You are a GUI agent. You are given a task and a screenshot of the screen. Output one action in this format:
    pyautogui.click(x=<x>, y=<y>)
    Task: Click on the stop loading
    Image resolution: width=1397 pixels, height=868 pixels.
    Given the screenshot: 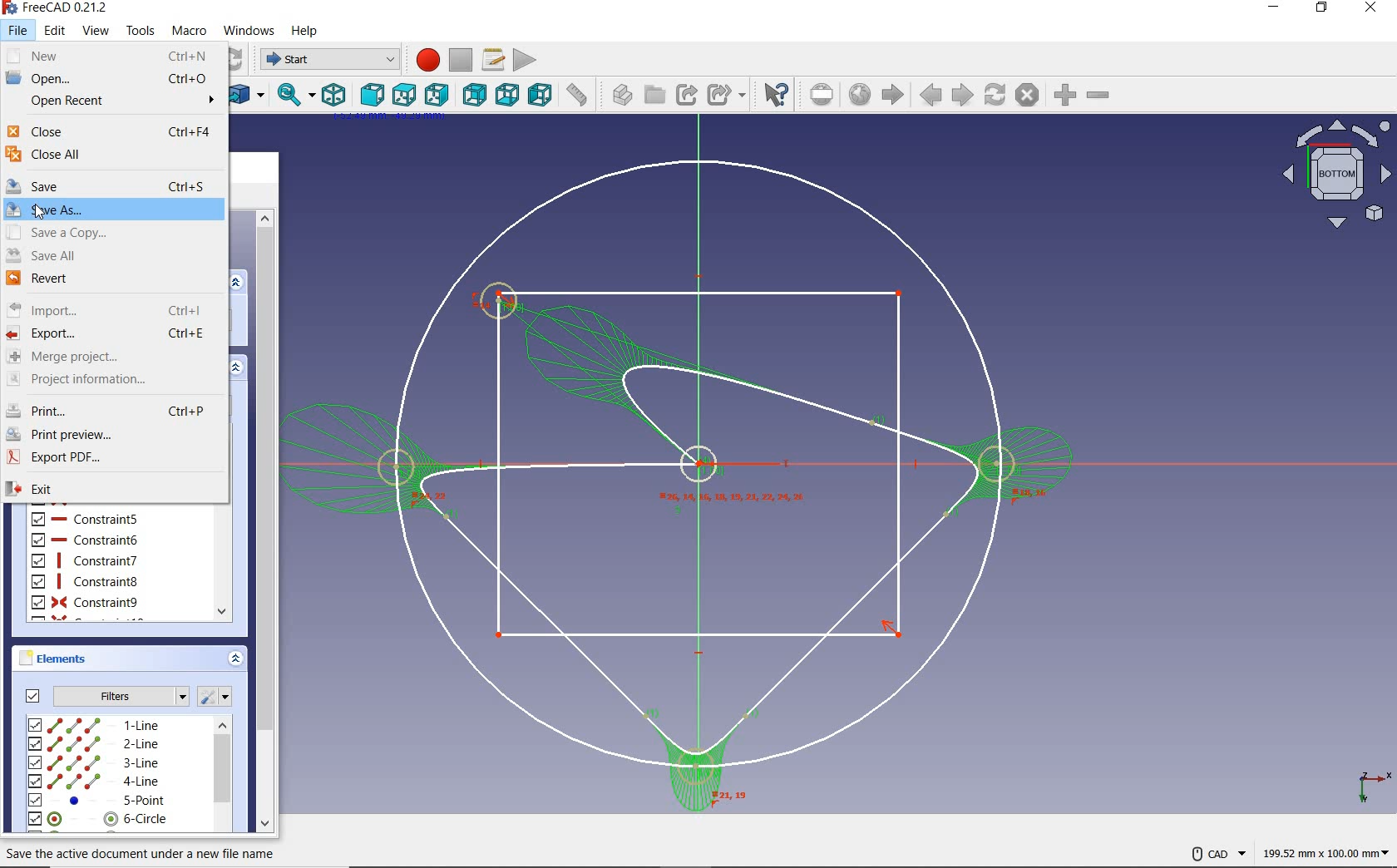 What is the action you would take?
    pyautogui.click(x=1027, y=96)
    